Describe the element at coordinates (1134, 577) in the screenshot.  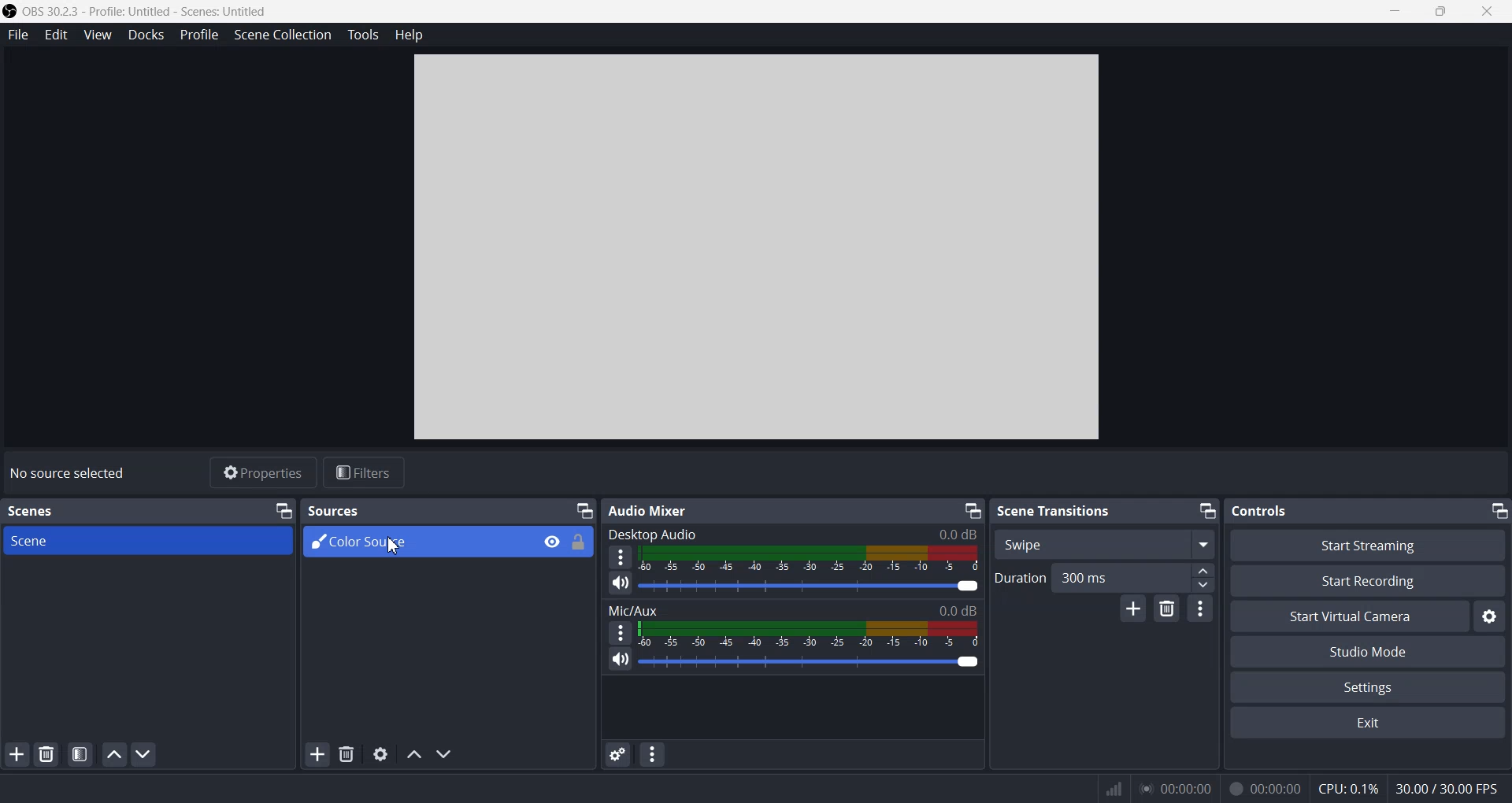
I see `300 ms` at that location.